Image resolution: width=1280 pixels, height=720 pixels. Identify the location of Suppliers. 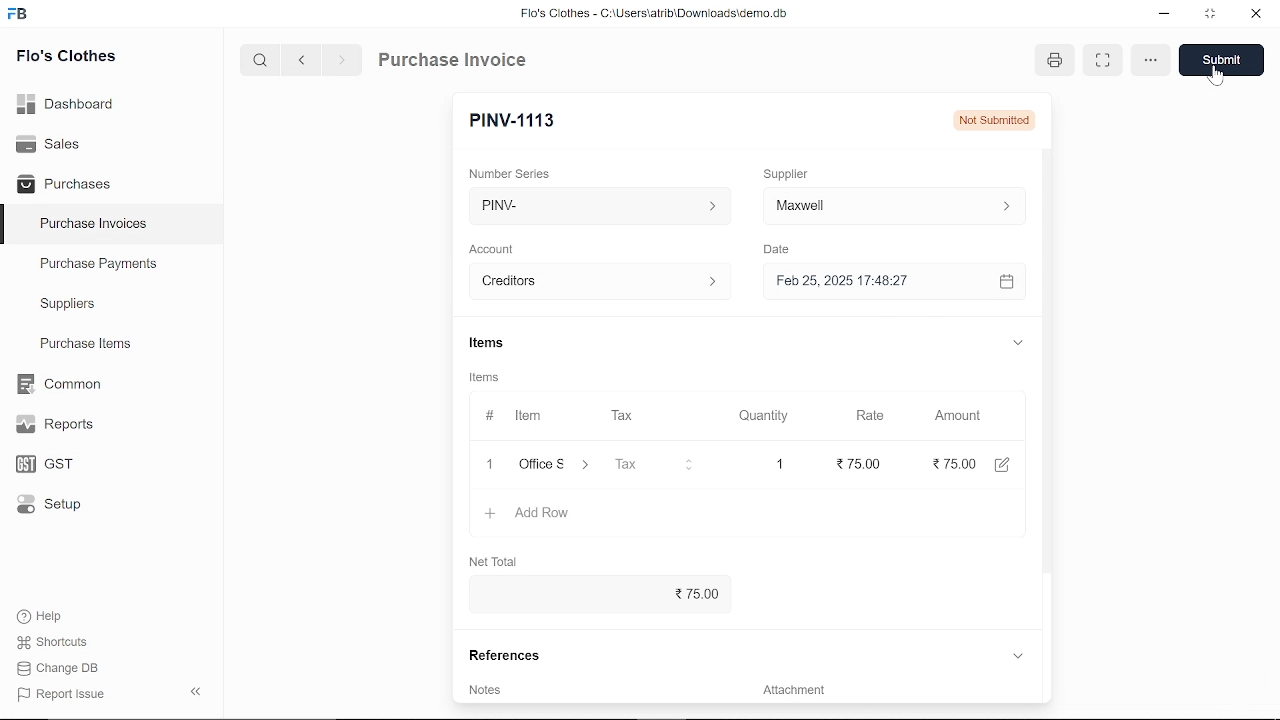
(68, 304).